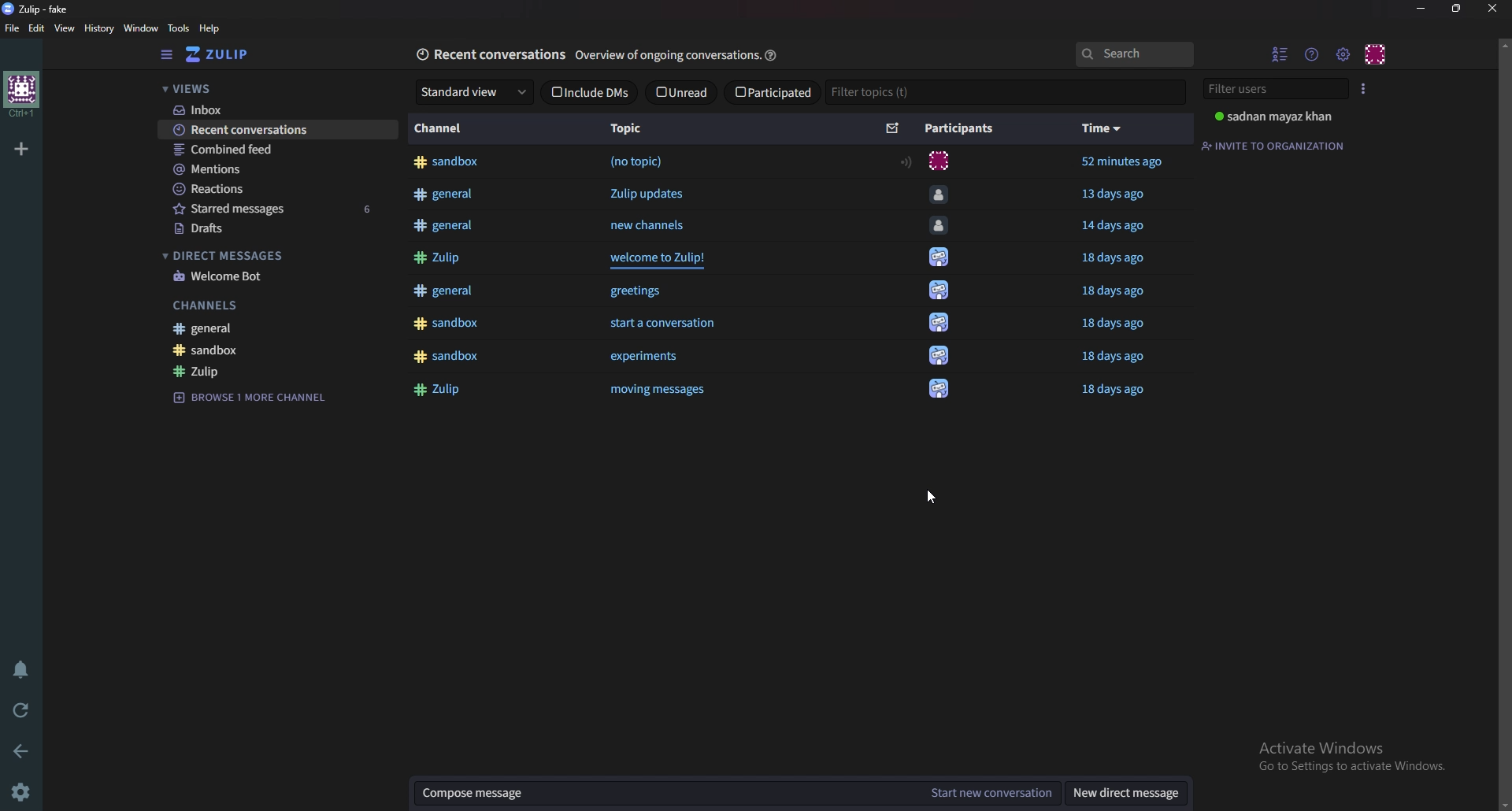 This screenshot has height=811, width=1512. I want to click on User list style, so click(1361, 89).